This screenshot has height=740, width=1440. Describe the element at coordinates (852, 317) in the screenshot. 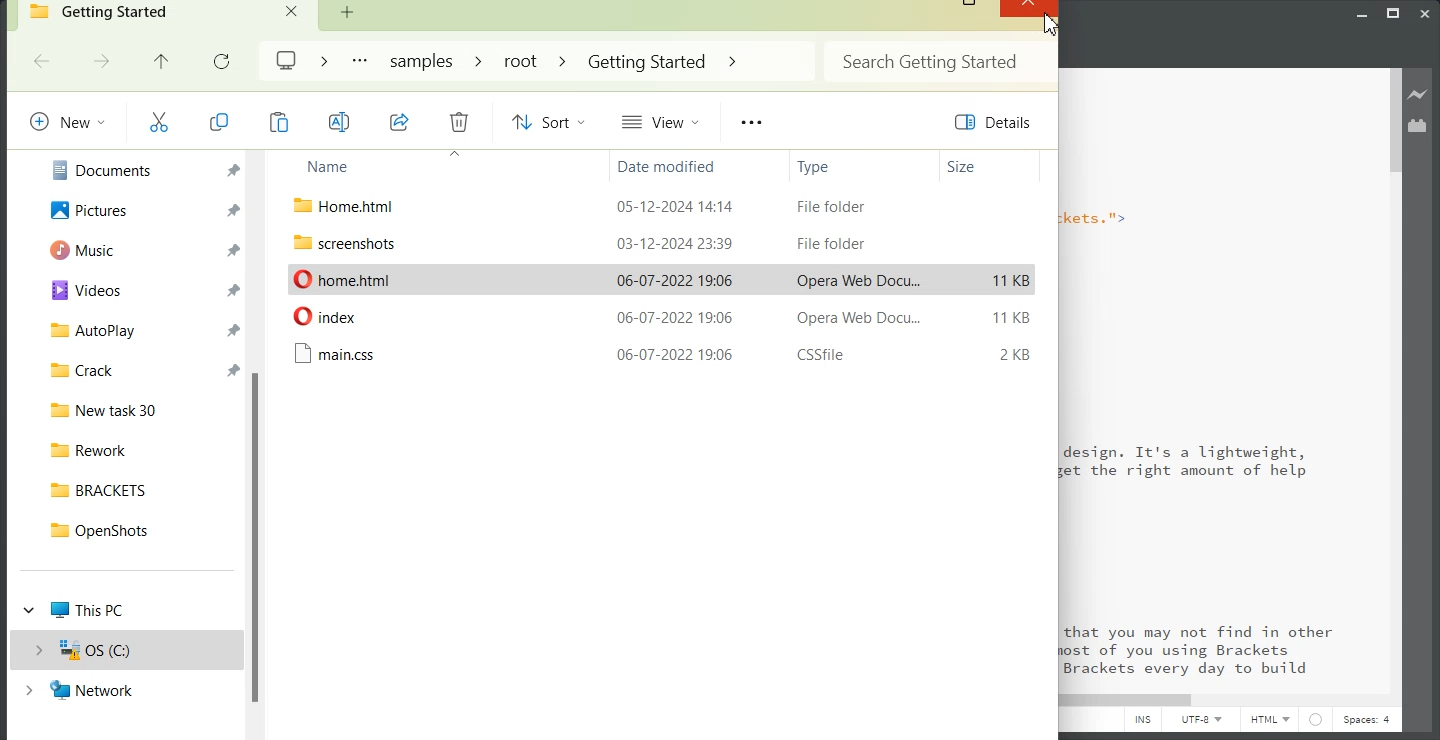

I see `File Folder` at that location.